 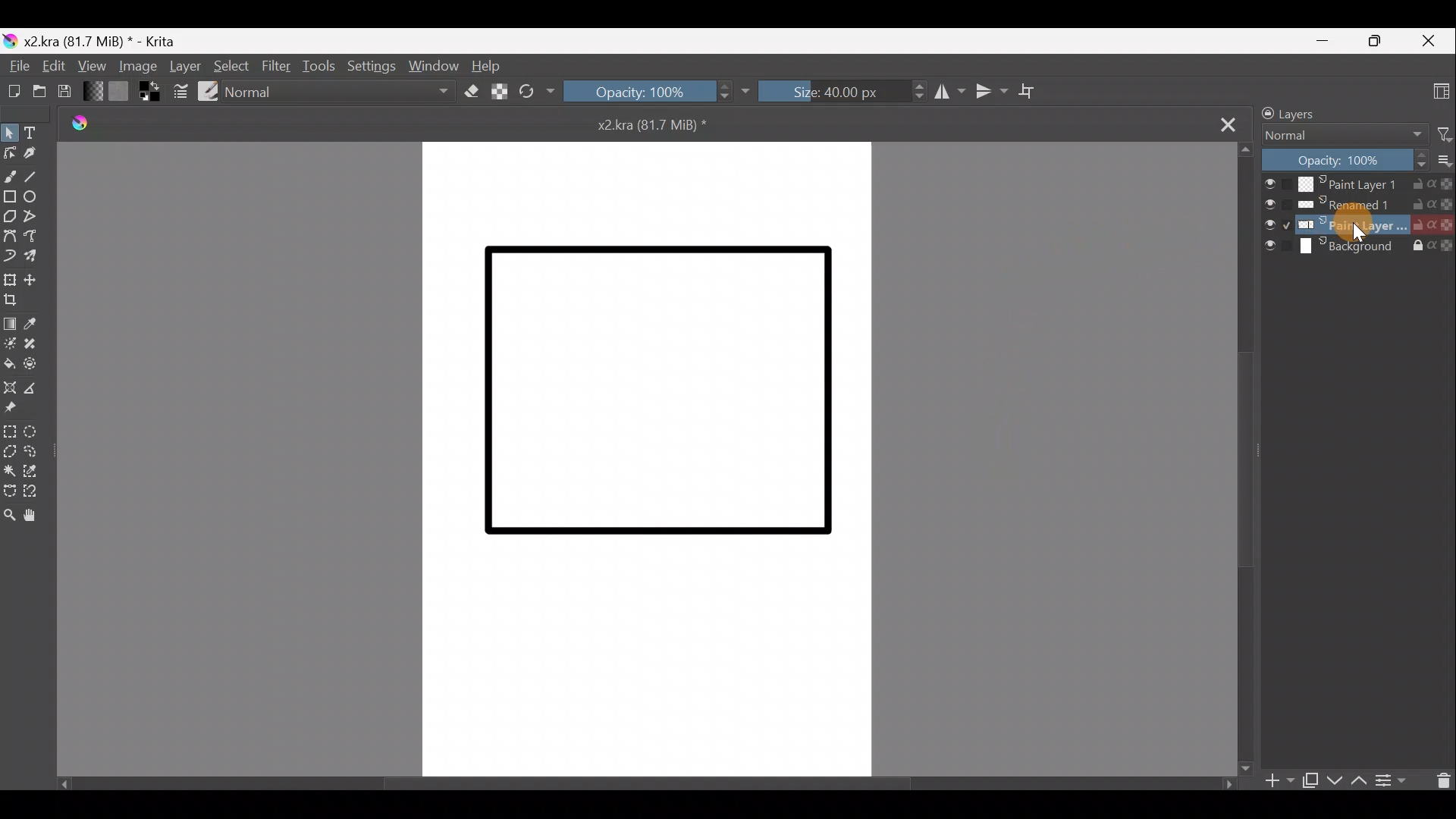 I want to click on Move layer/mask up, so click(x=1362, y=779).